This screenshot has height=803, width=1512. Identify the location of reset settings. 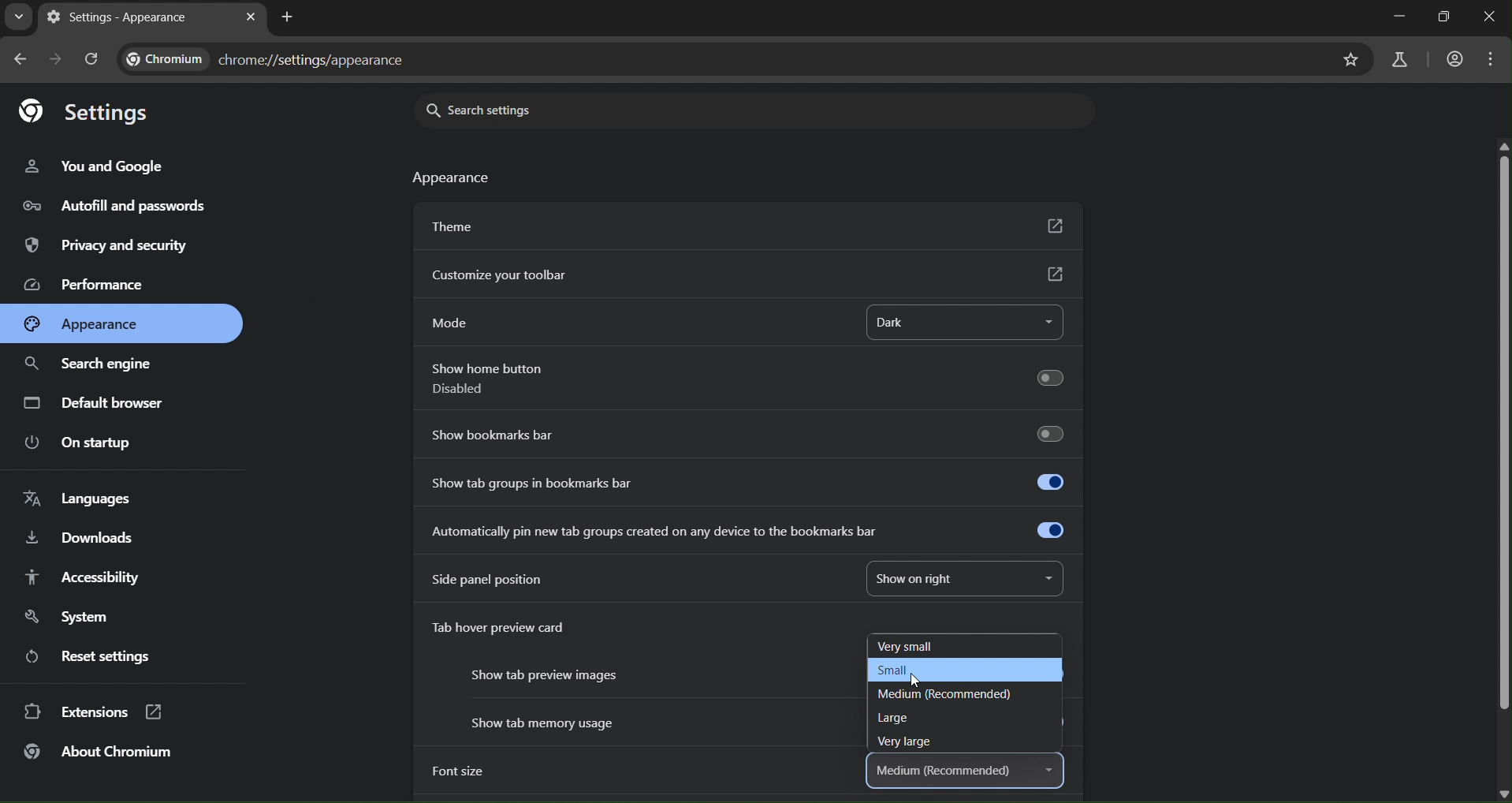
(97, 655).